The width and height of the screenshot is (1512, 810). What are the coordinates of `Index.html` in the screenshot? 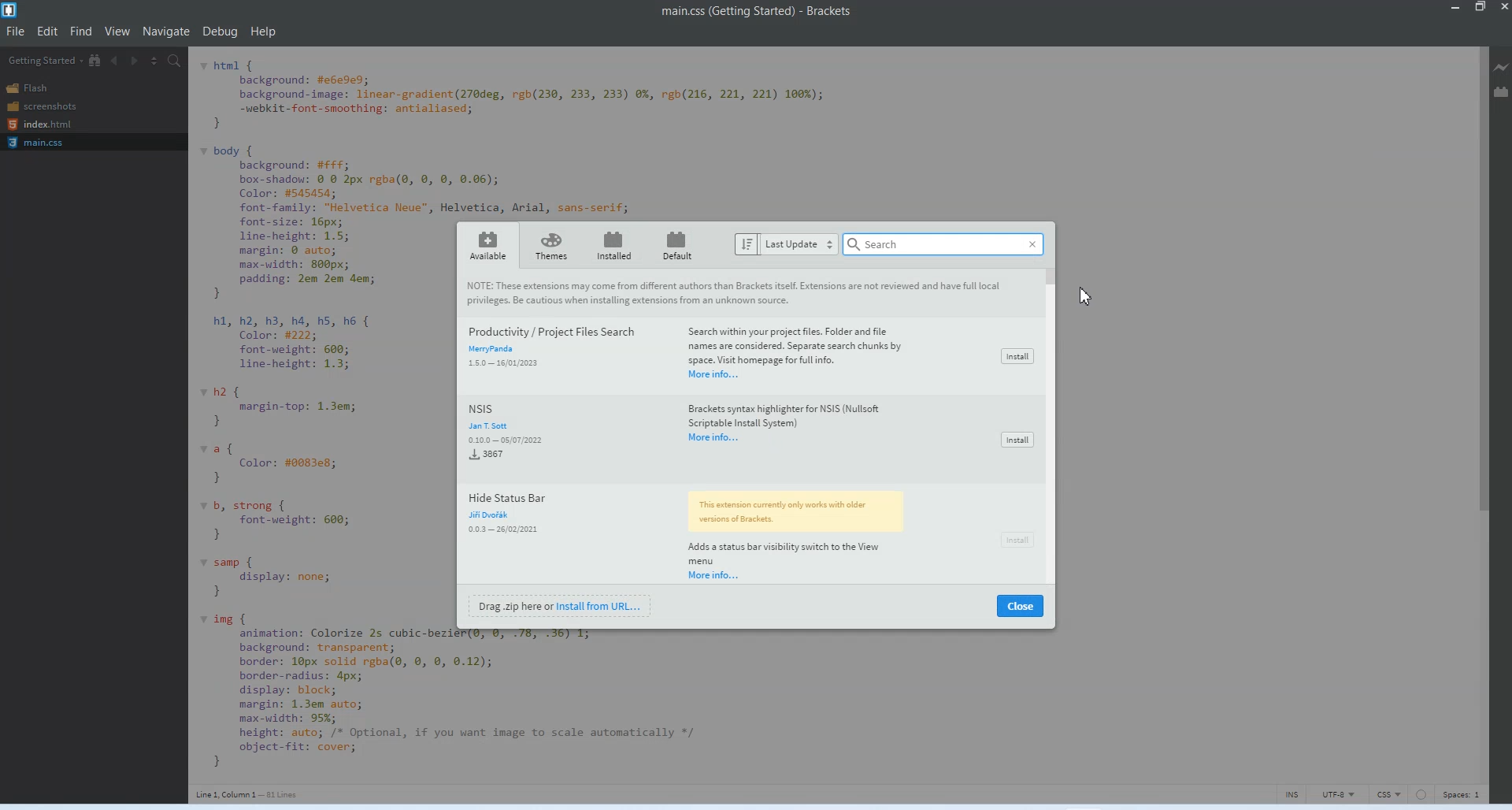 It's located at (39, 125).